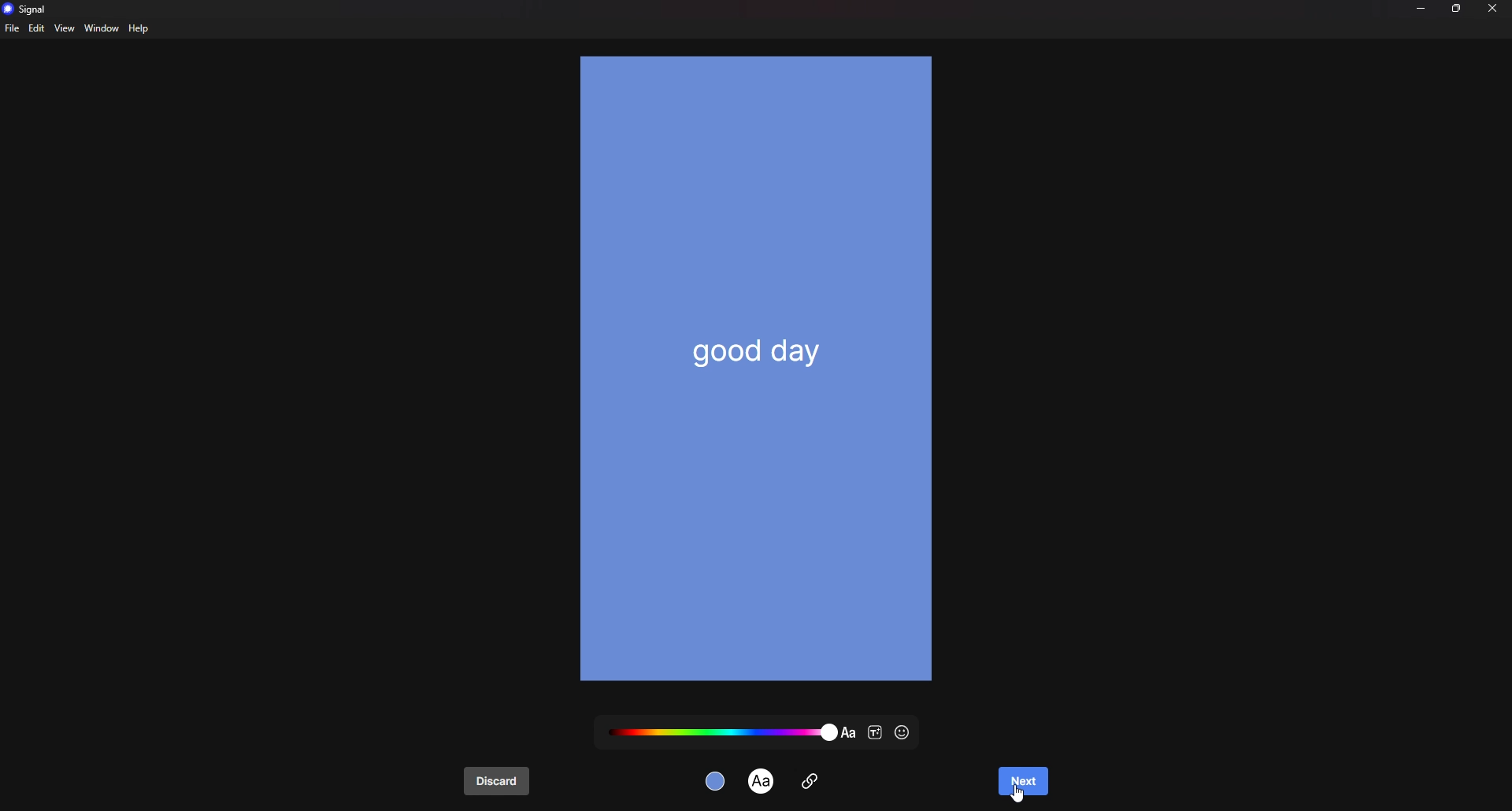 This screenshot has height=811, width=1512. I want to click on signal, so click(29, 9).